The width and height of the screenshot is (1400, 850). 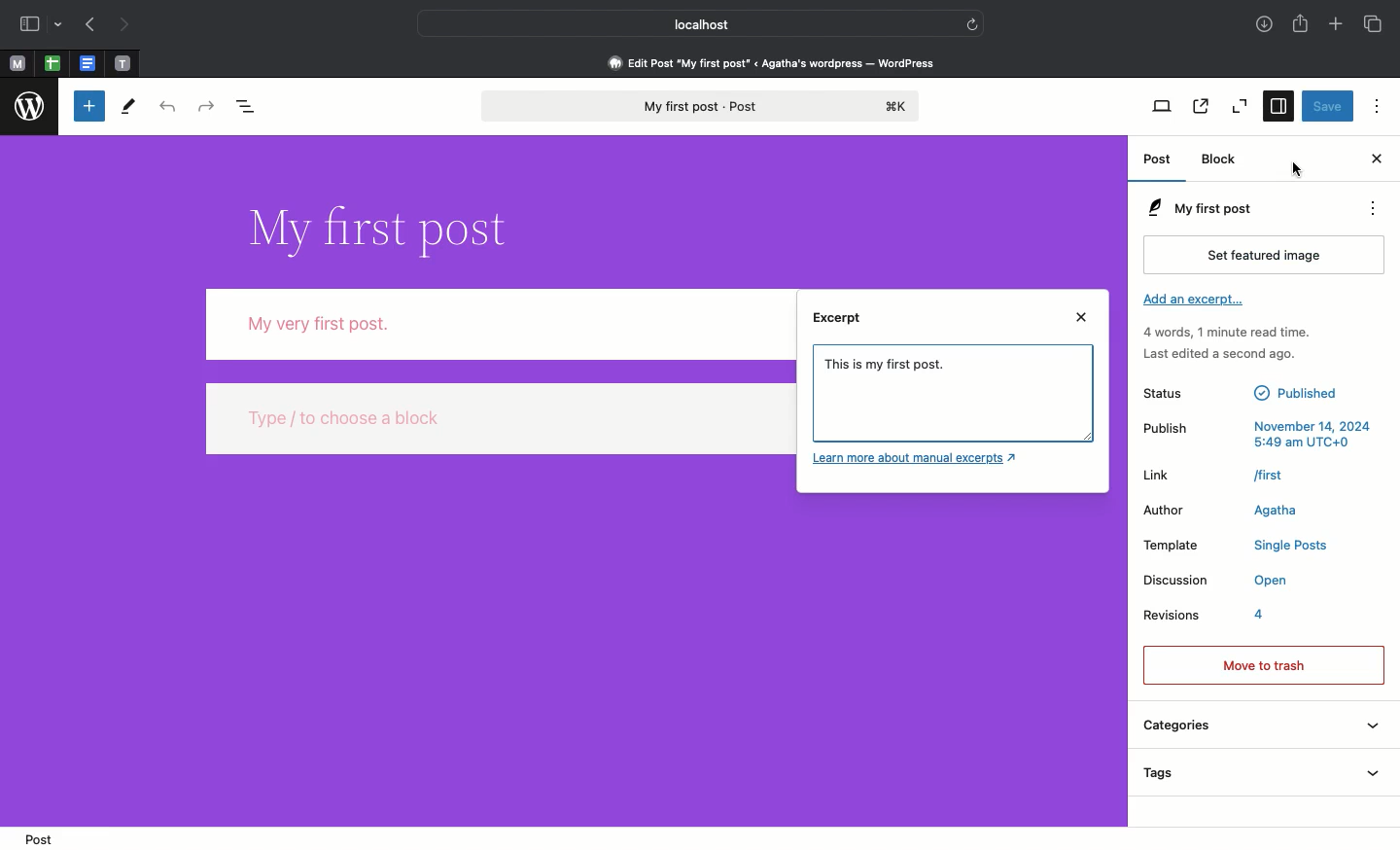 I want to click on Block, so click(x=1224, y=159).